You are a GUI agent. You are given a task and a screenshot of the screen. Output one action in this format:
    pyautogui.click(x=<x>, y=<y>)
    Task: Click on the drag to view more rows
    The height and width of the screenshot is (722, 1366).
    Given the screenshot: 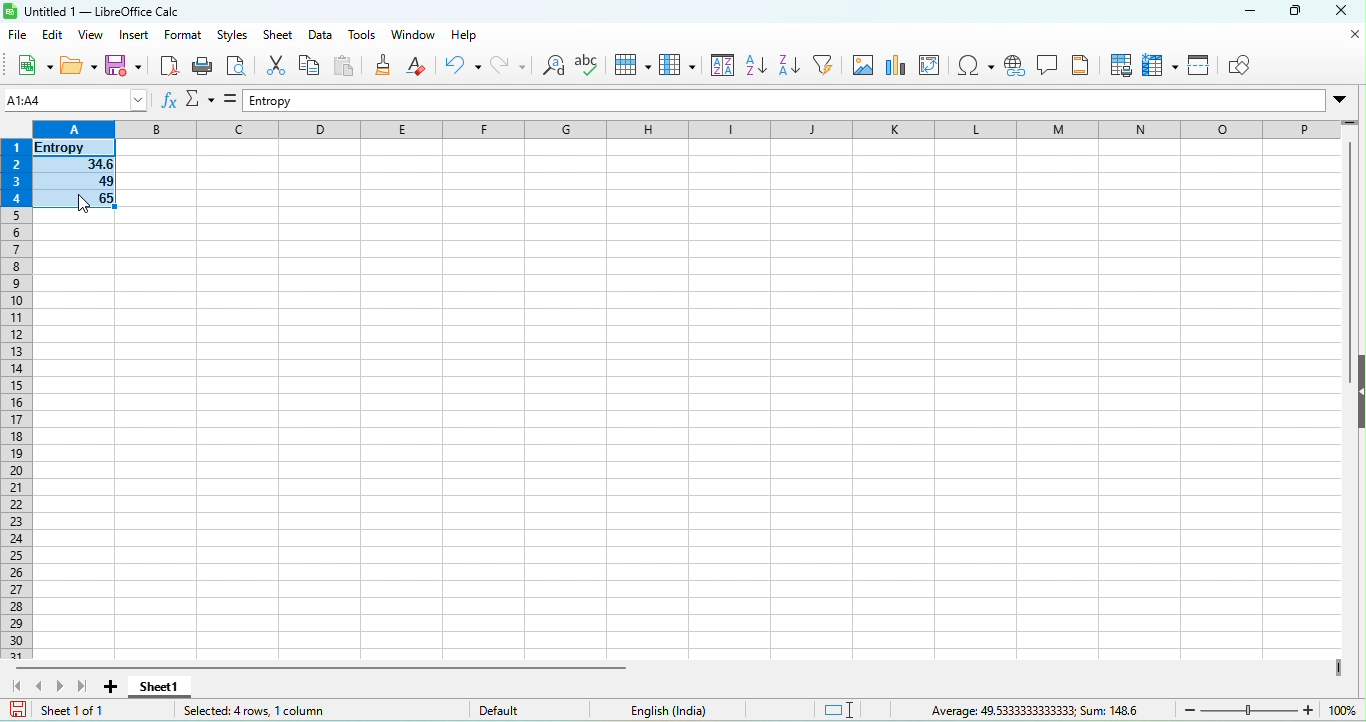 What is the action you would take?
    pyautogui.click(x=1347, y=122)
    